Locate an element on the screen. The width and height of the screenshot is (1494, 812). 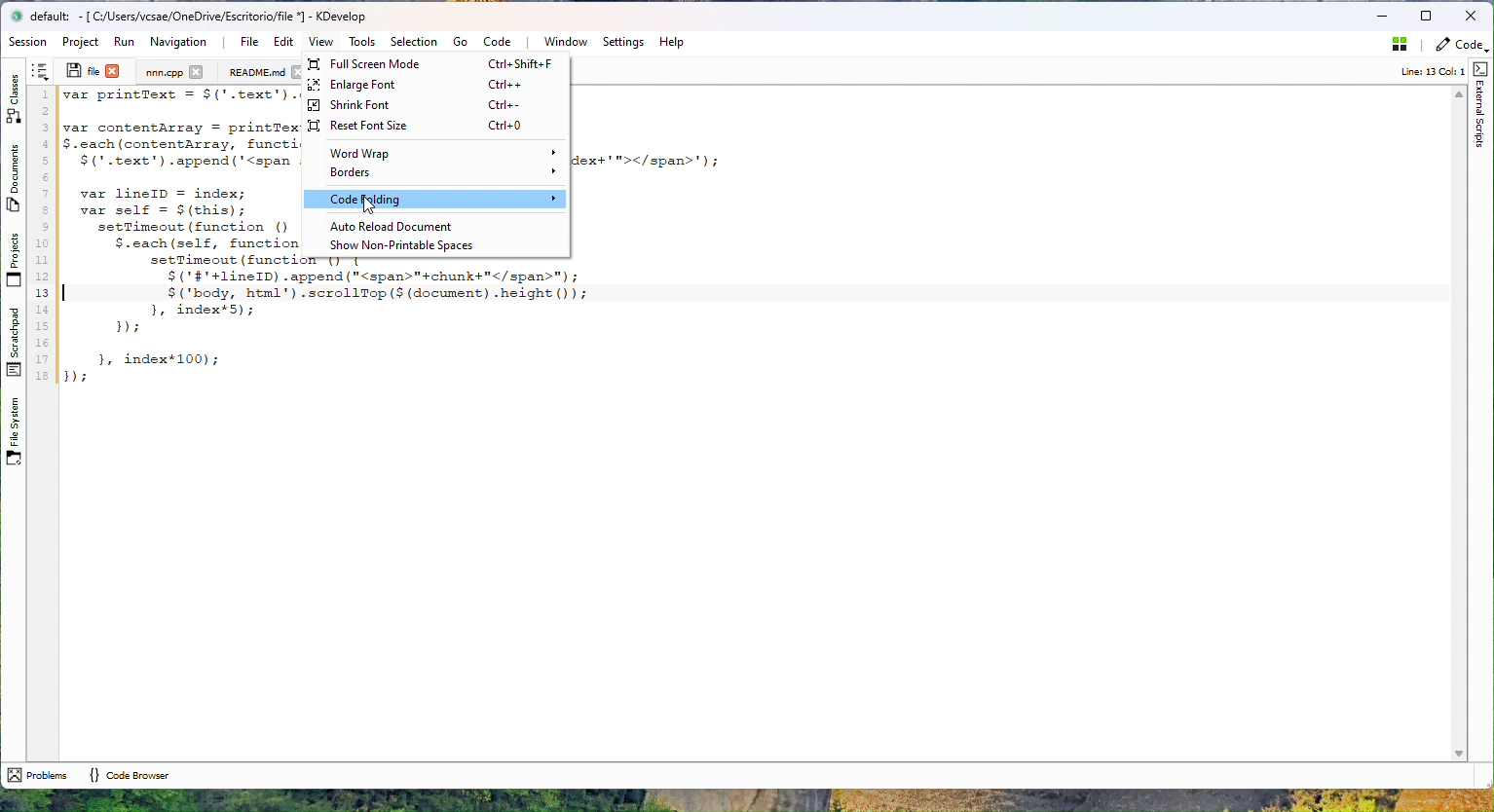
close is located at coordinates (196, 71).